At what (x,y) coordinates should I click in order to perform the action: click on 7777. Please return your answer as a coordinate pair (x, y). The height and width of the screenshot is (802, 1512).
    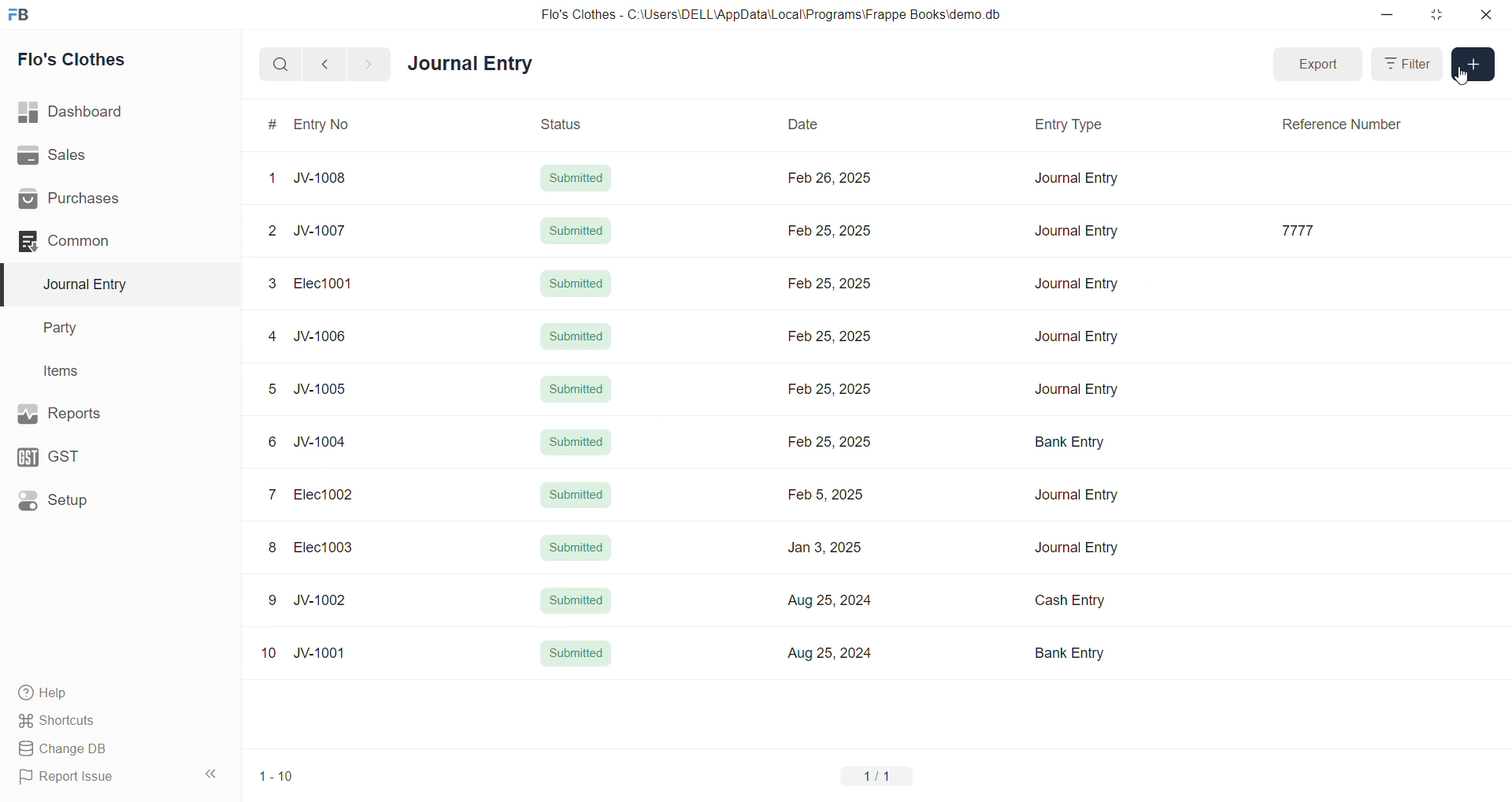
    Looking at the image, I should click on (1305, 230).